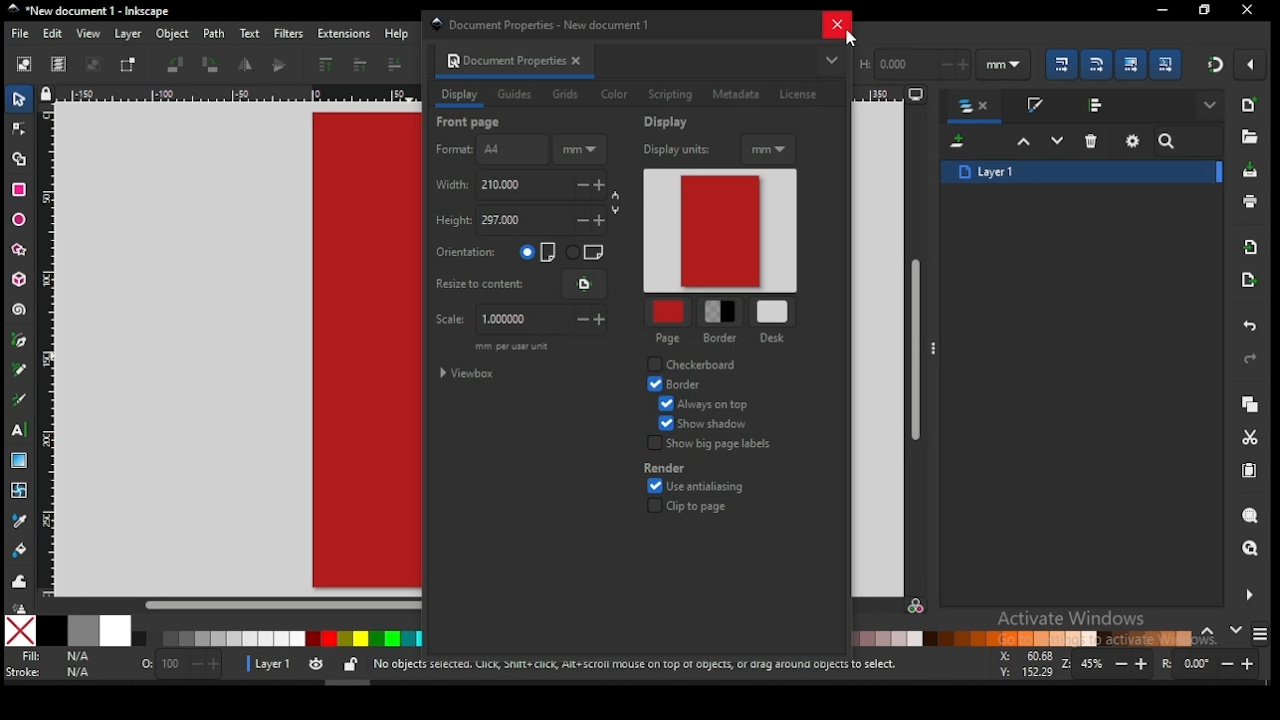 The image size is (1280, 720). Describe the element at coordinates (246, 65) in the screenshot. I see `object flip horizontal` at that location.